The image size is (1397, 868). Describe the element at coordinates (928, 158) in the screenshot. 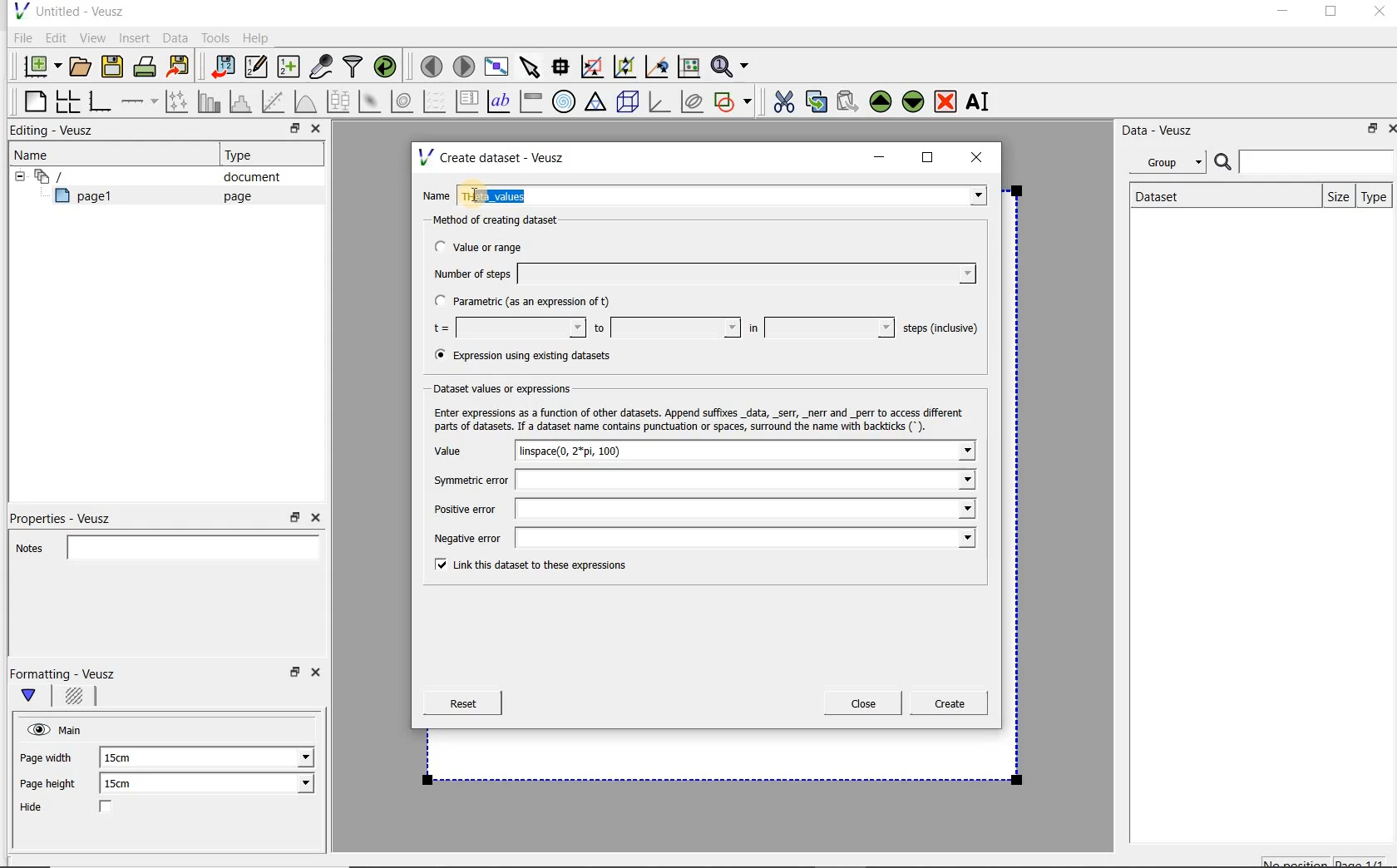

I see `maximize` at that location.